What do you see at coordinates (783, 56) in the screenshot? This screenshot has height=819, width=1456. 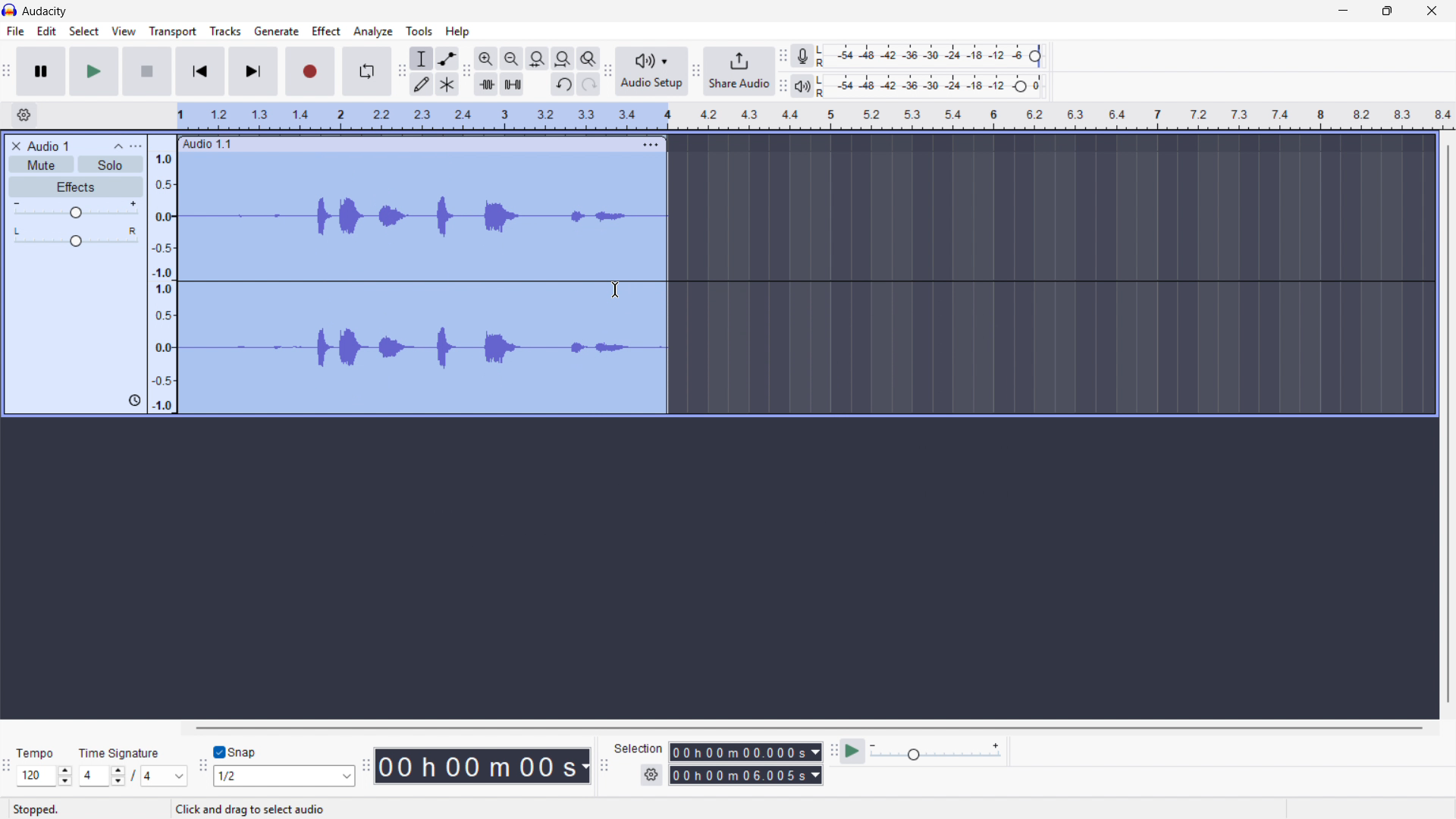 I see `Recording metre toolbar` at bounding box center [783, 56].